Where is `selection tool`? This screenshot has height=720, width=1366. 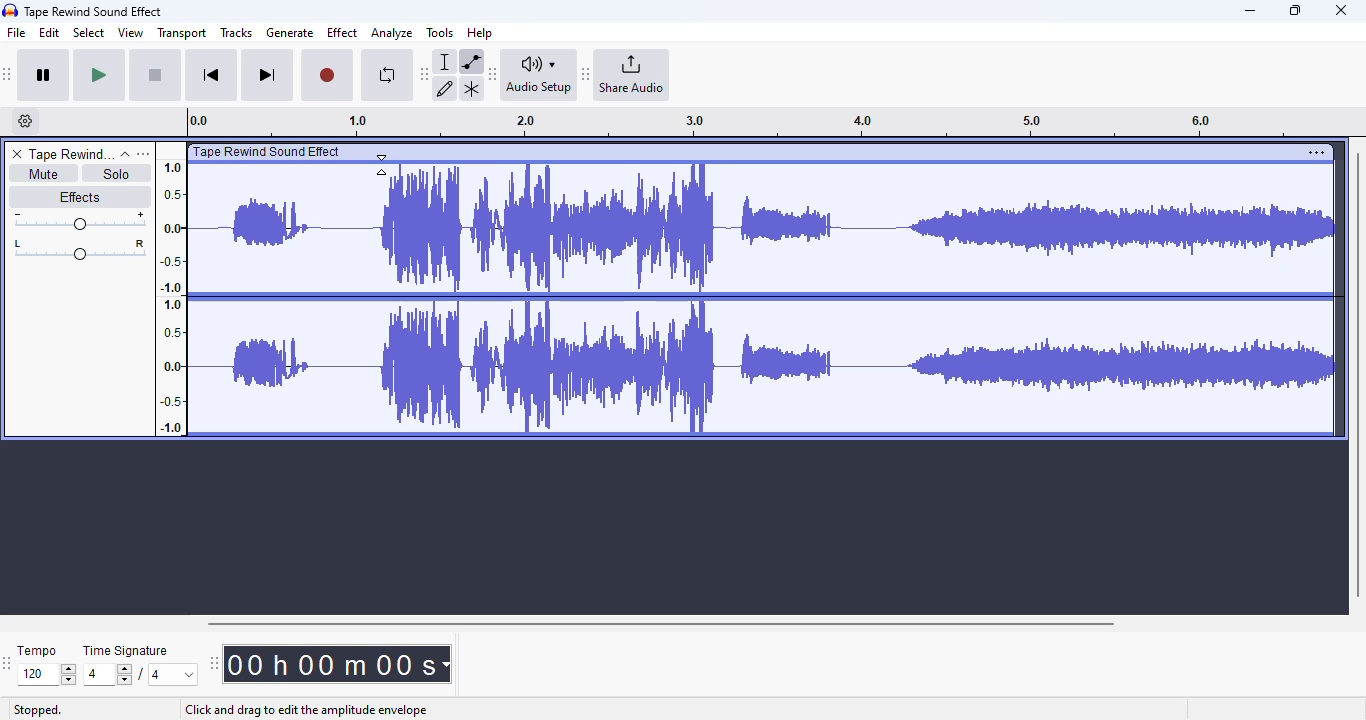
selection tool is located at coordinates (447, 61).